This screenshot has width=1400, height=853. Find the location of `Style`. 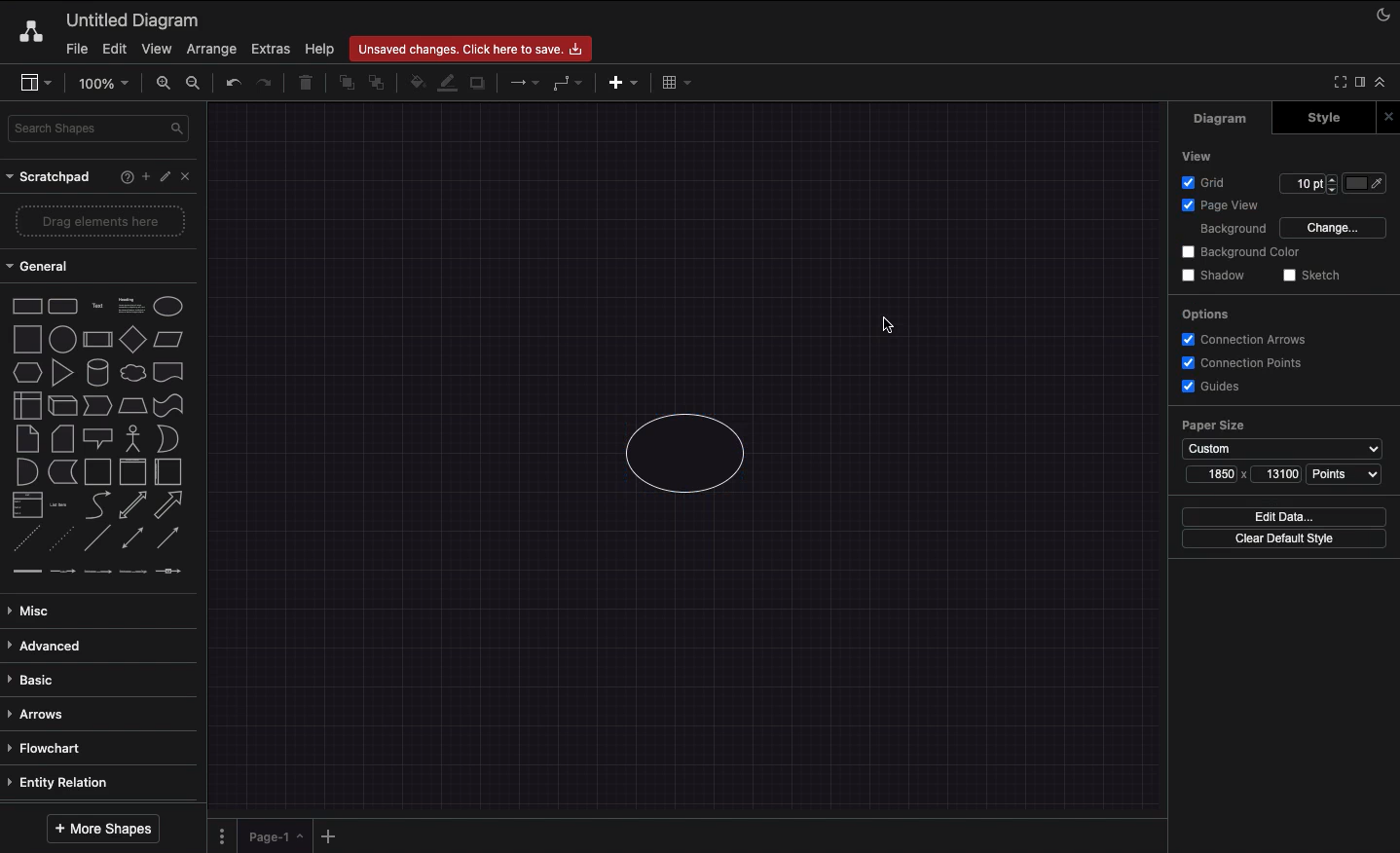

Style is located at coordinates (1326, 117).